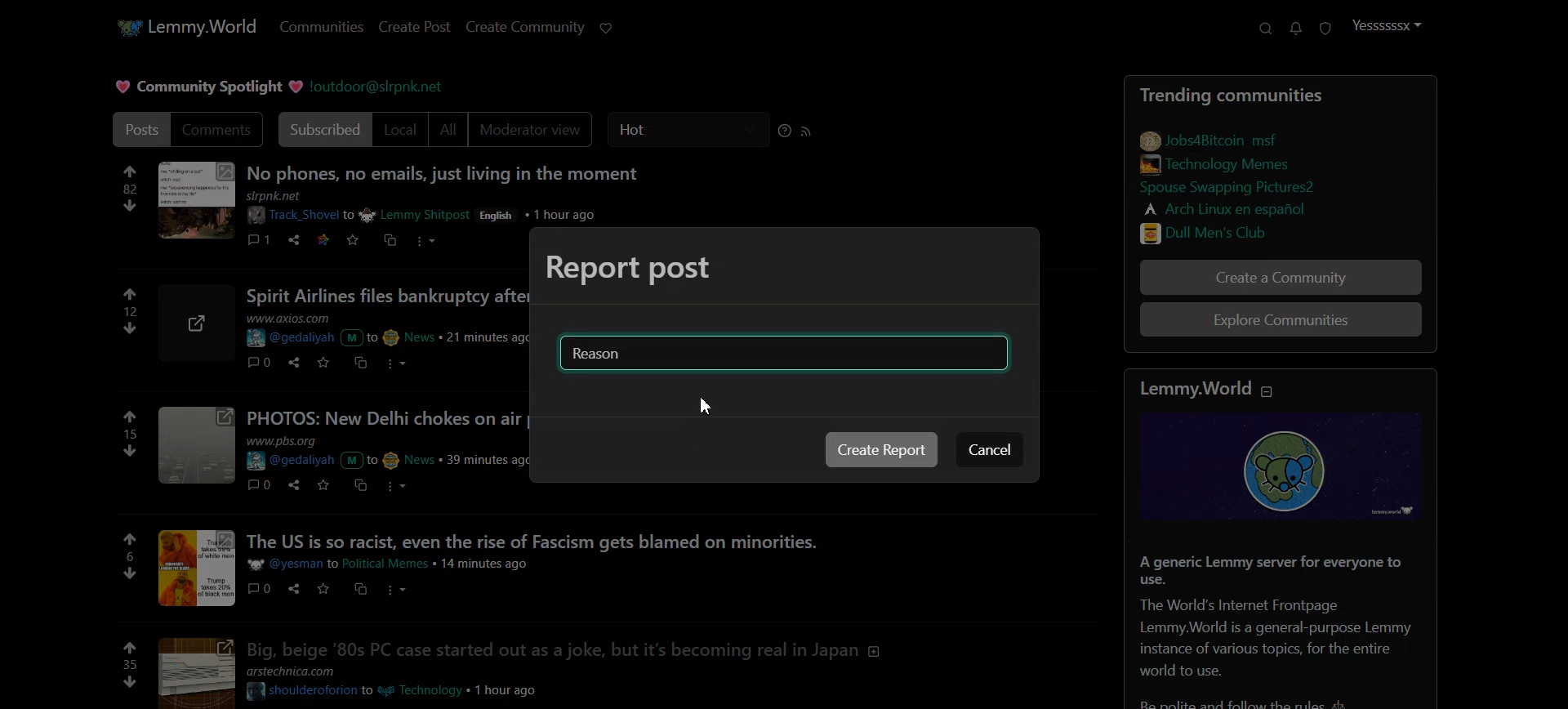 The width and height of the screenshot is (1568, 709). I want to click on numbers, so click(132, 310).